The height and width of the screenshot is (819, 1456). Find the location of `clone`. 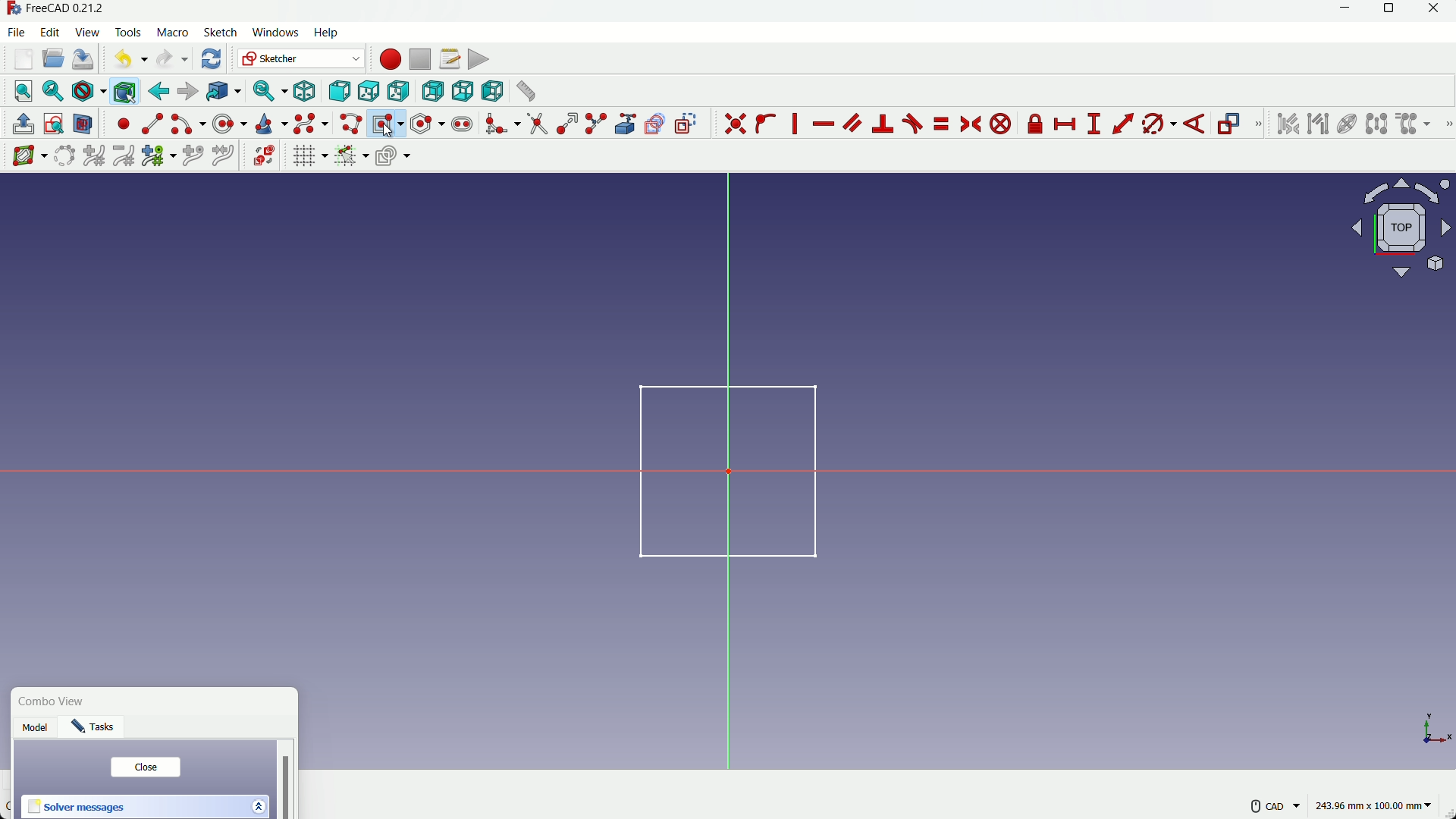

clone is located at coordinates (1414, 125).